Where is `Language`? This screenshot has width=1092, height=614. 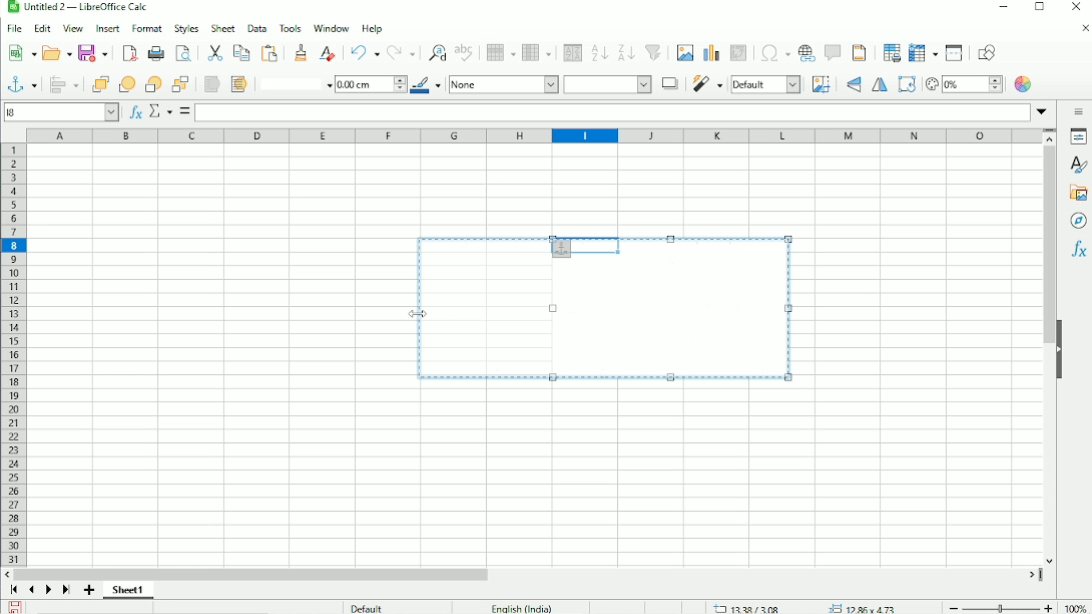
Language is located at coordinates (522, 607).